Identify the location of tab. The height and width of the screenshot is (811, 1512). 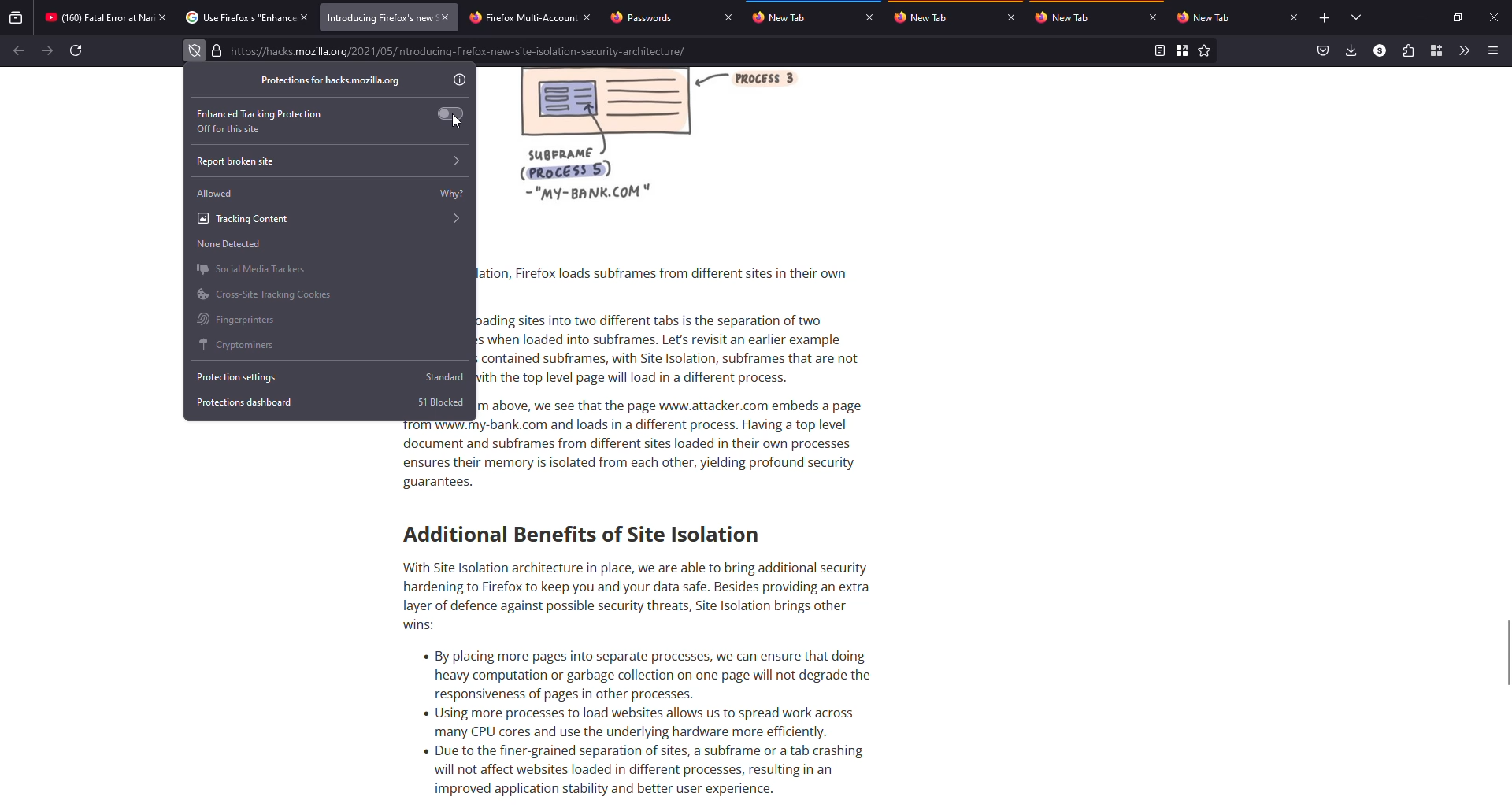
(521, 18).